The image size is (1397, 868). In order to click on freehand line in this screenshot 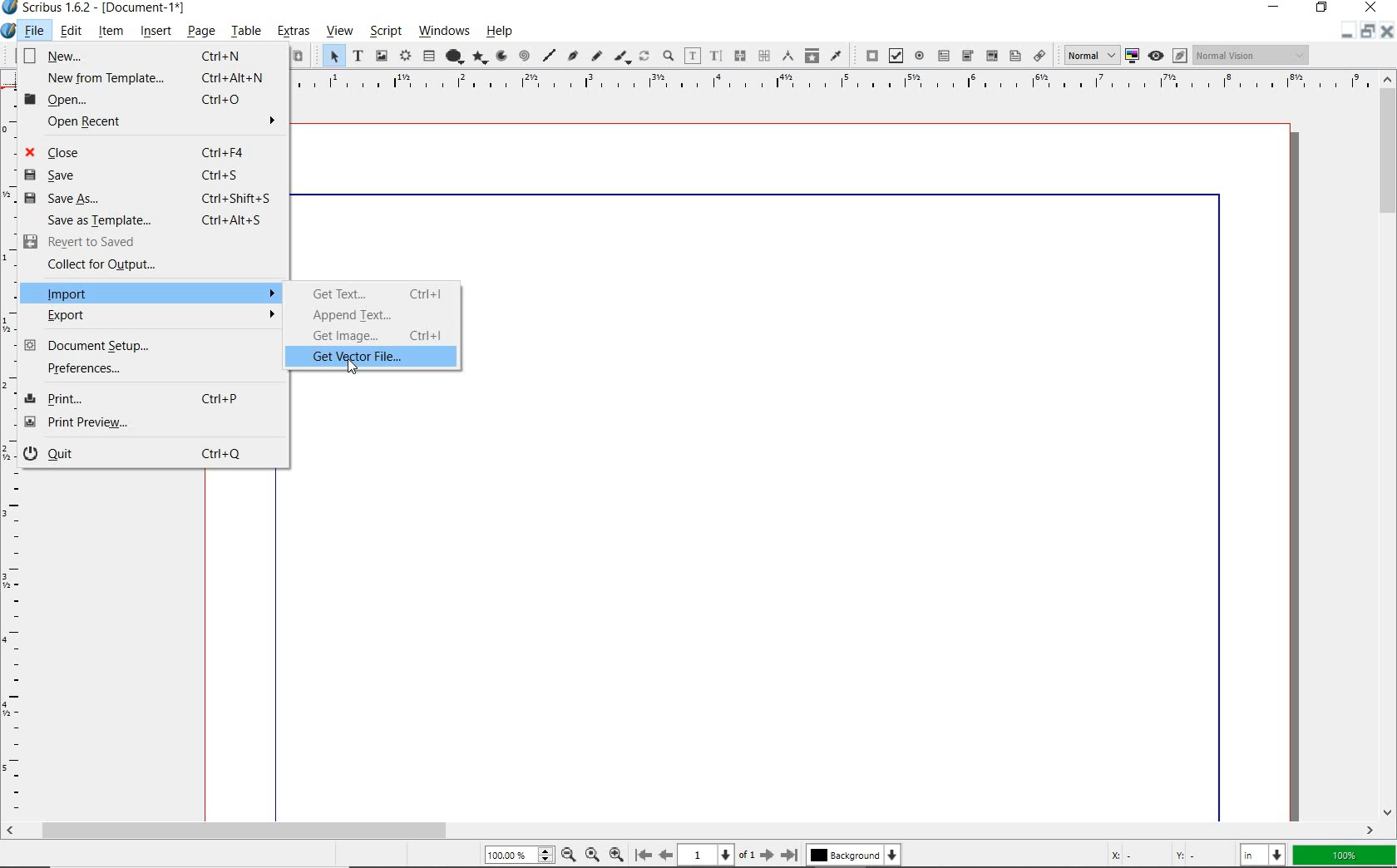, I will do `click(595, 55)`.